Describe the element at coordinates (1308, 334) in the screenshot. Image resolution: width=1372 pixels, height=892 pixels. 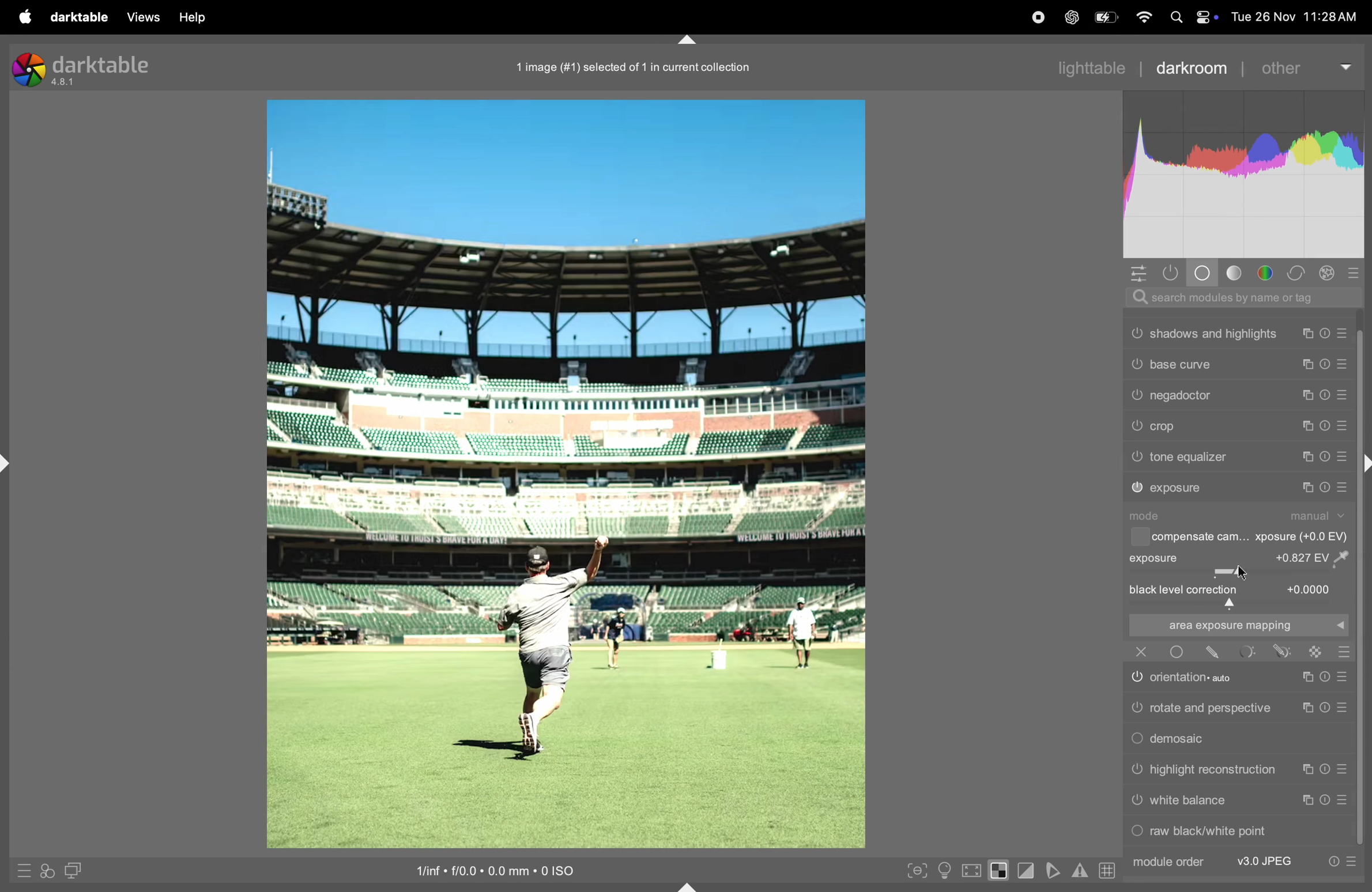
I see `copy` at that location.